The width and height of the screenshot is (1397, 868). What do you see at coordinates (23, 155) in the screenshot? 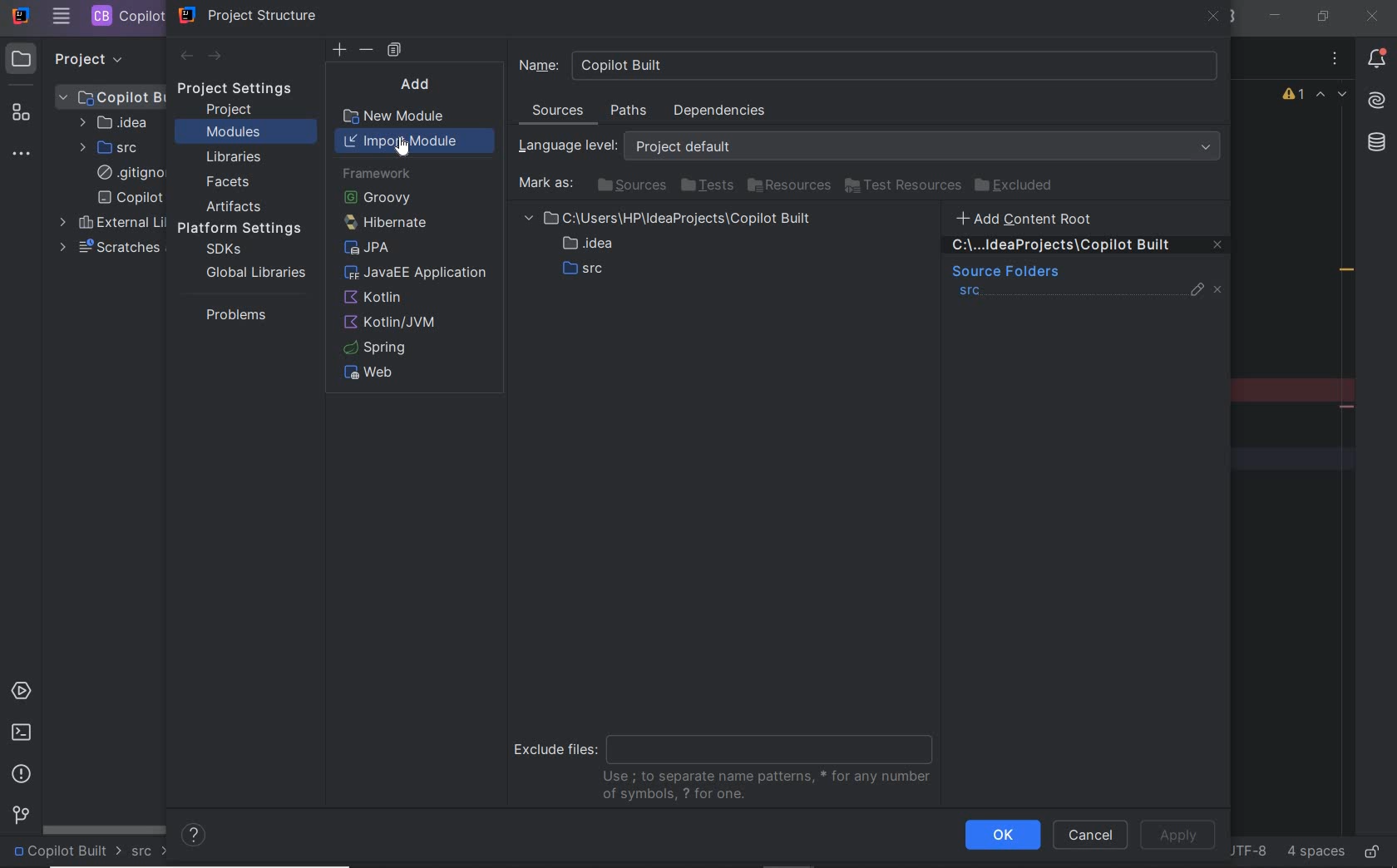
I see `more tool windows` at bounding box center [23, 155].